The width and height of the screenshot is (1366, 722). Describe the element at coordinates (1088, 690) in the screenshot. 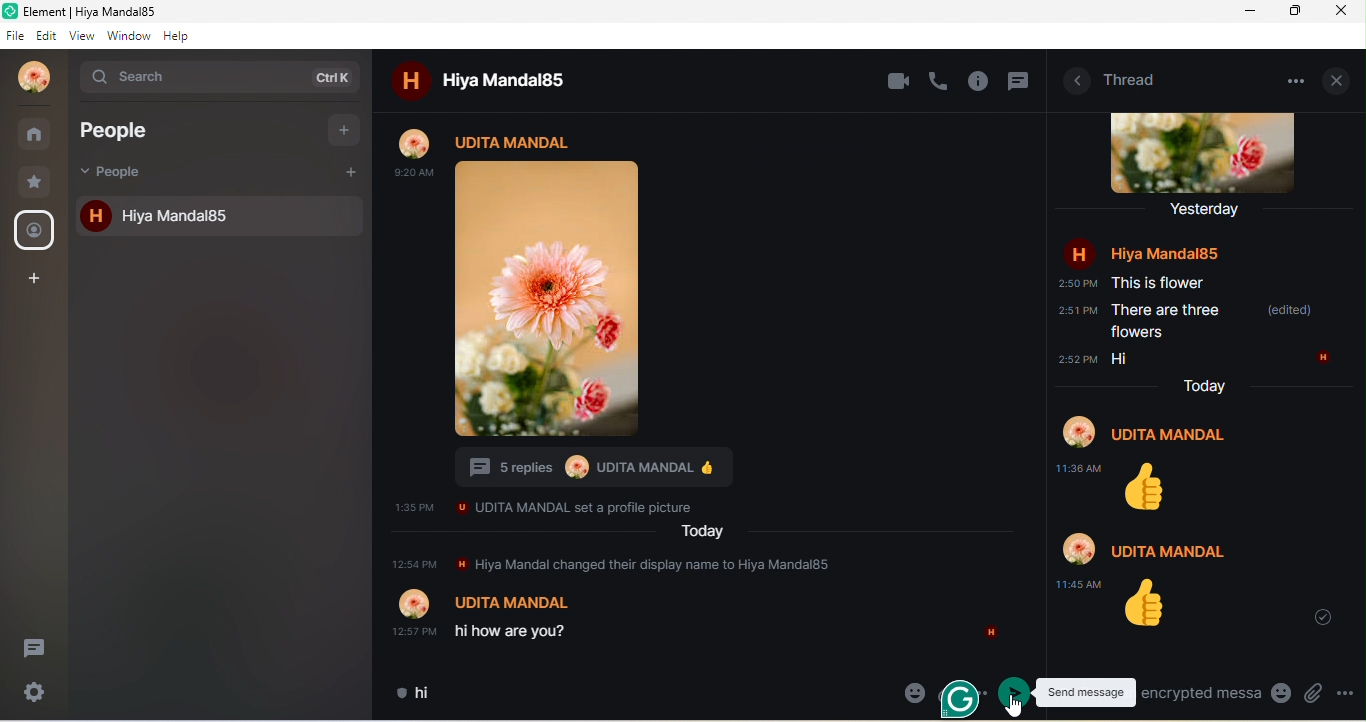

I see `Send message` at that location.